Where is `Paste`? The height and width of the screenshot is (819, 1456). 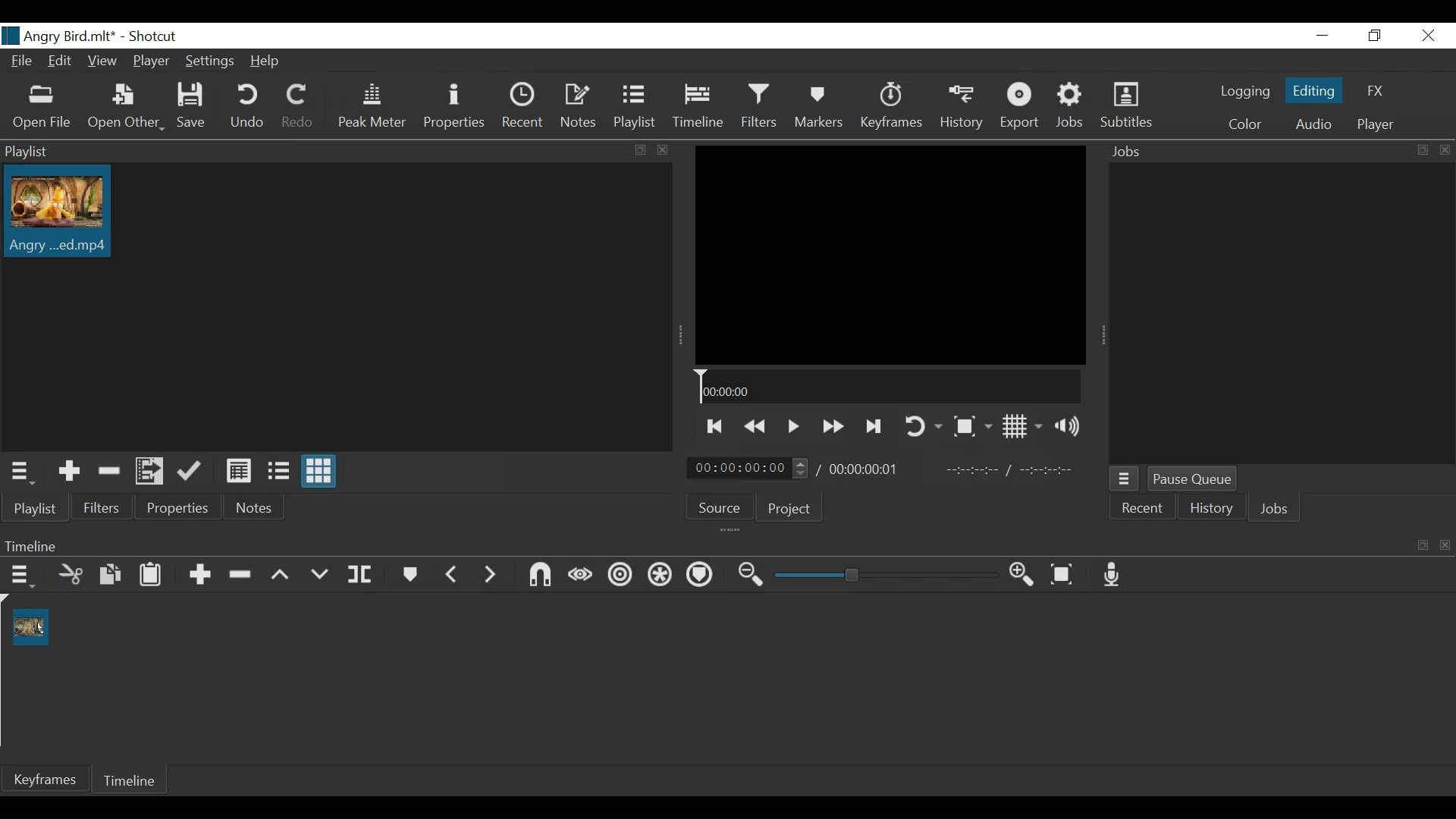
Paste is located at coordinates (152, 574).